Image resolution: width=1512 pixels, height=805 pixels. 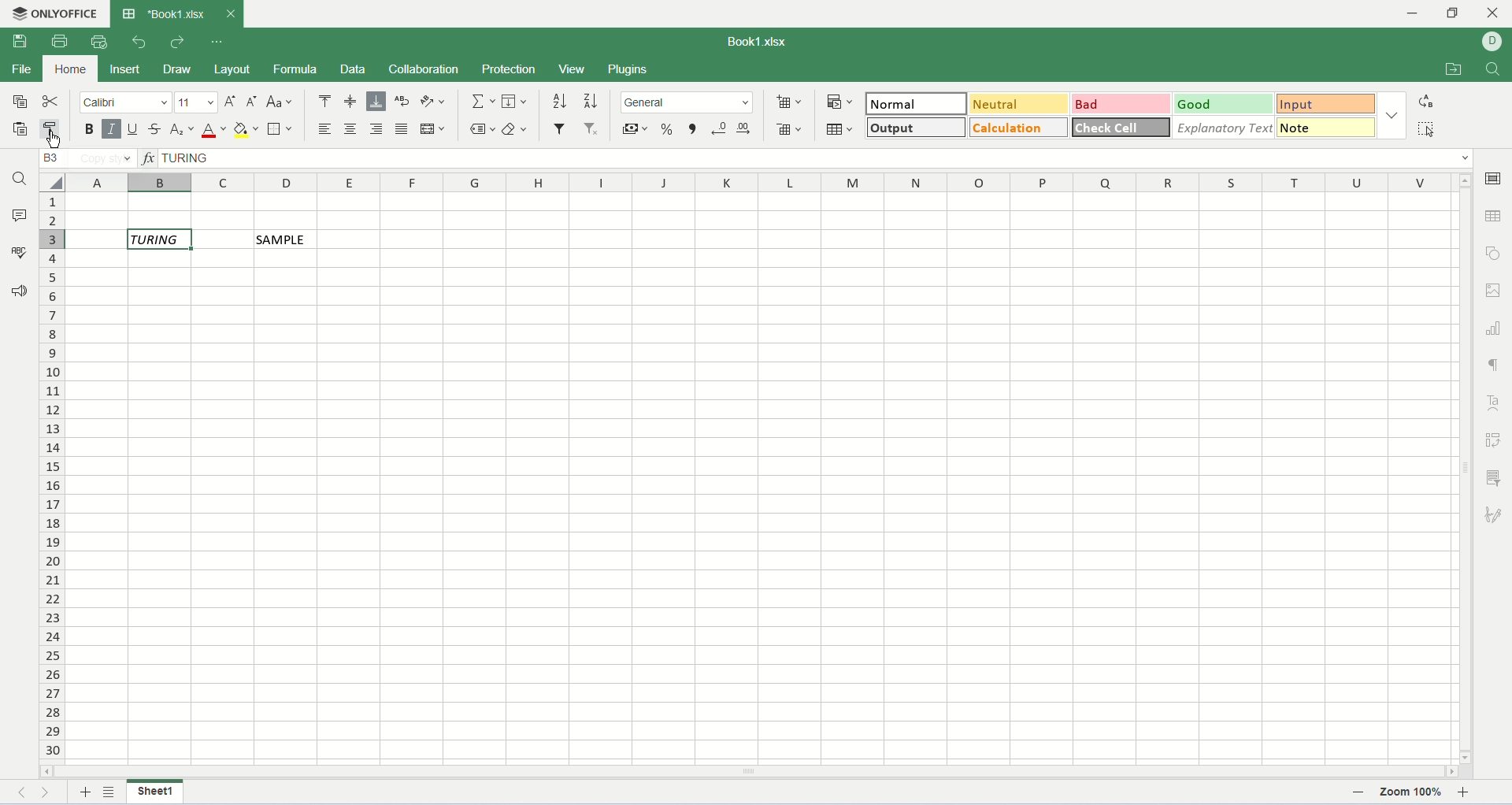 I want to click on fill, so click(x=515, y=101).